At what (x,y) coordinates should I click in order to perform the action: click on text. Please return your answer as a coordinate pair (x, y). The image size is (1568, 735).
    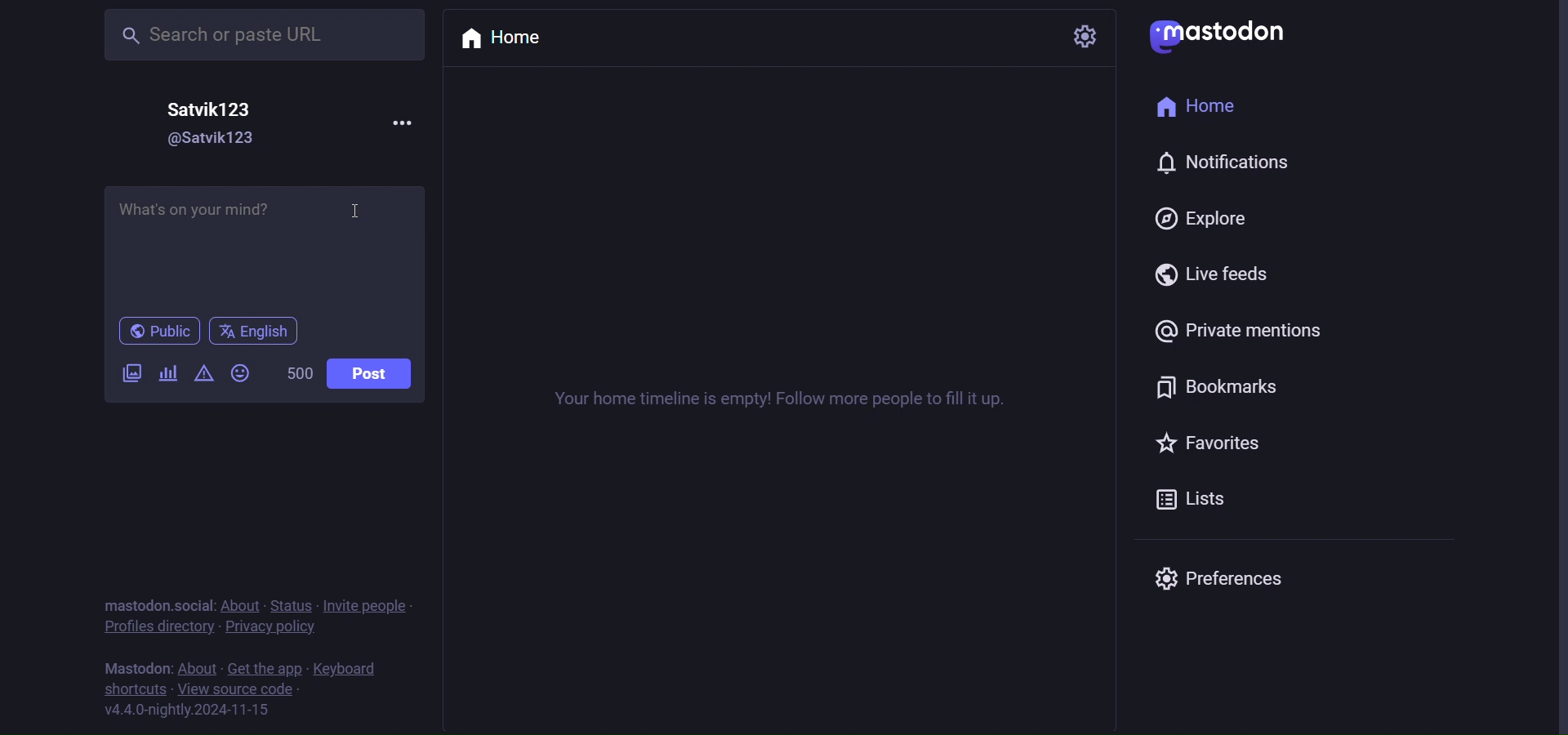
    Looking at the image, I should click on (158, 605).